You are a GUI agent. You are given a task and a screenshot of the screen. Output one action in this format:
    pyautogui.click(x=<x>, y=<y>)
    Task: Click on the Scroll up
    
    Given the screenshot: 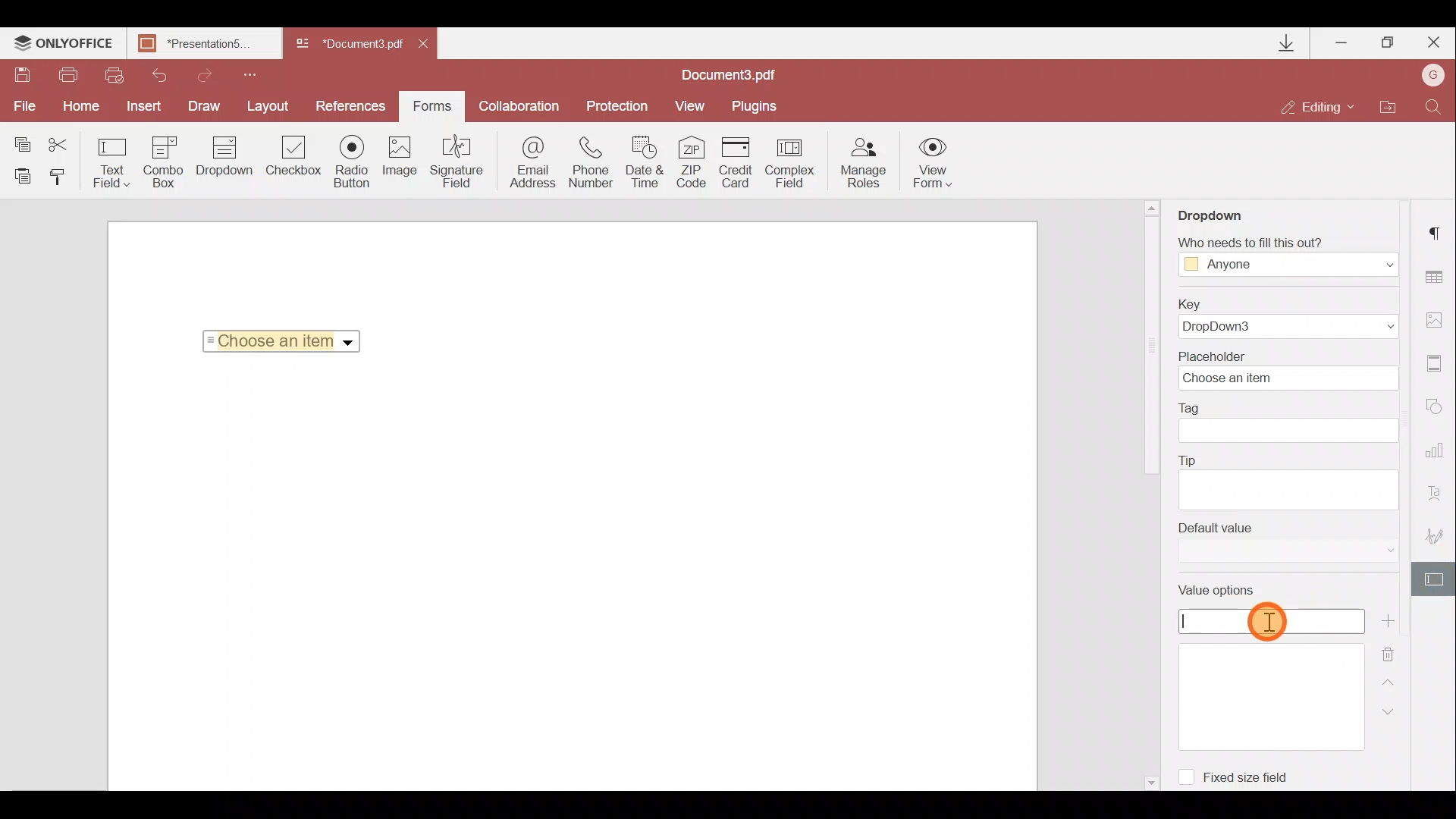 What is the action you would take?
    pyautogui.click(x=1153, y=207)
    